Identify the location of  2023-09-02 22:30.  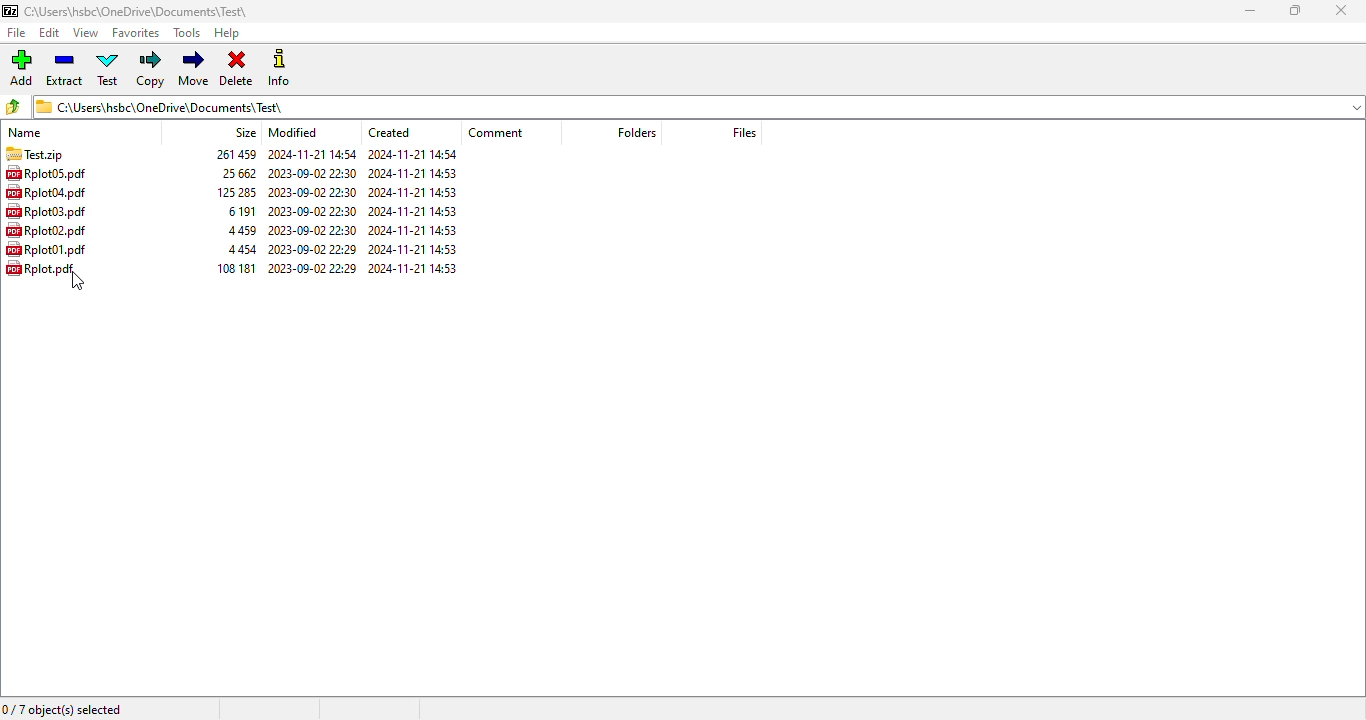
(308, 194).